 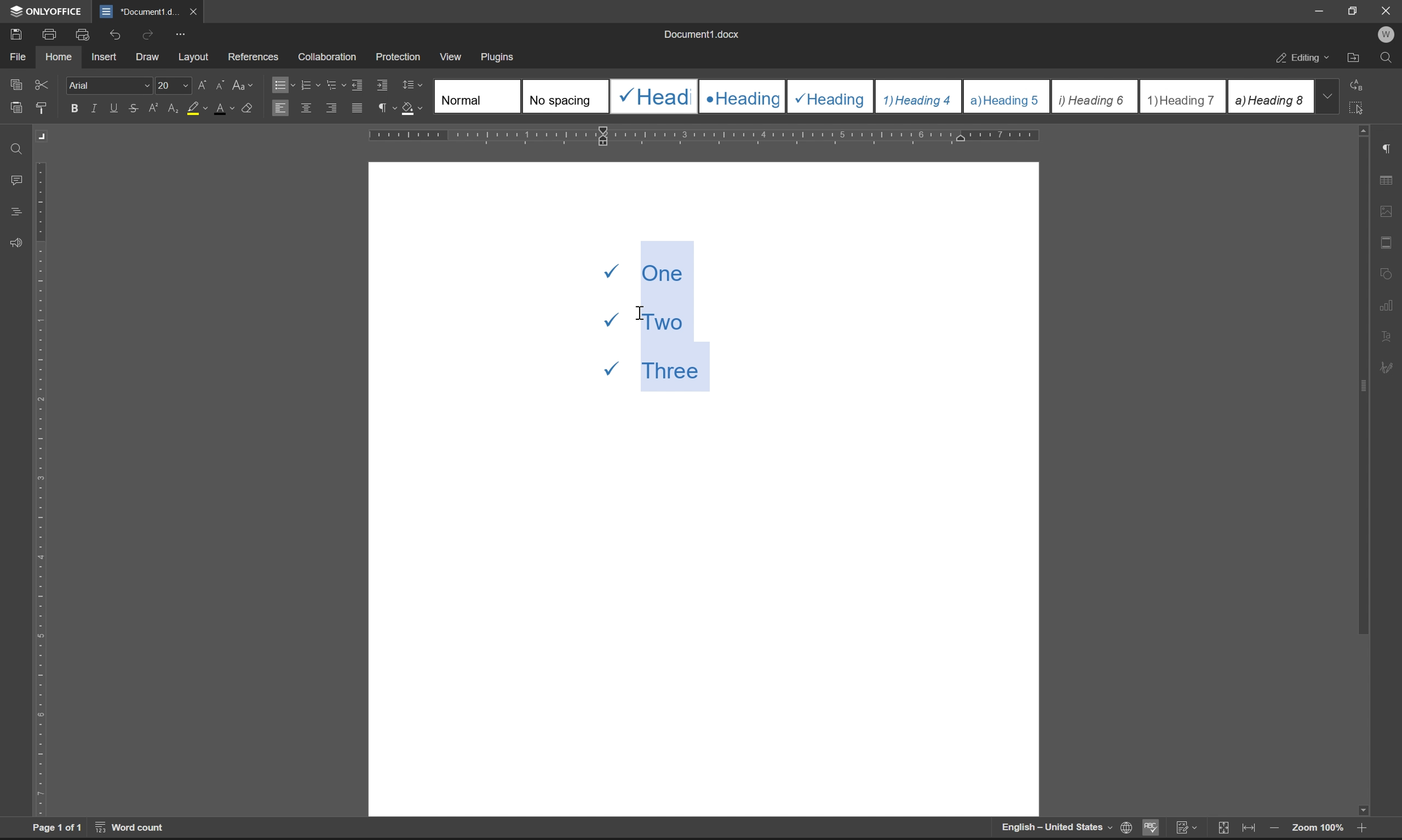 What do you see at coordinates (1007, 96) in the screenshot?
I see `Heading 5` at bounding box center [1007, 96].